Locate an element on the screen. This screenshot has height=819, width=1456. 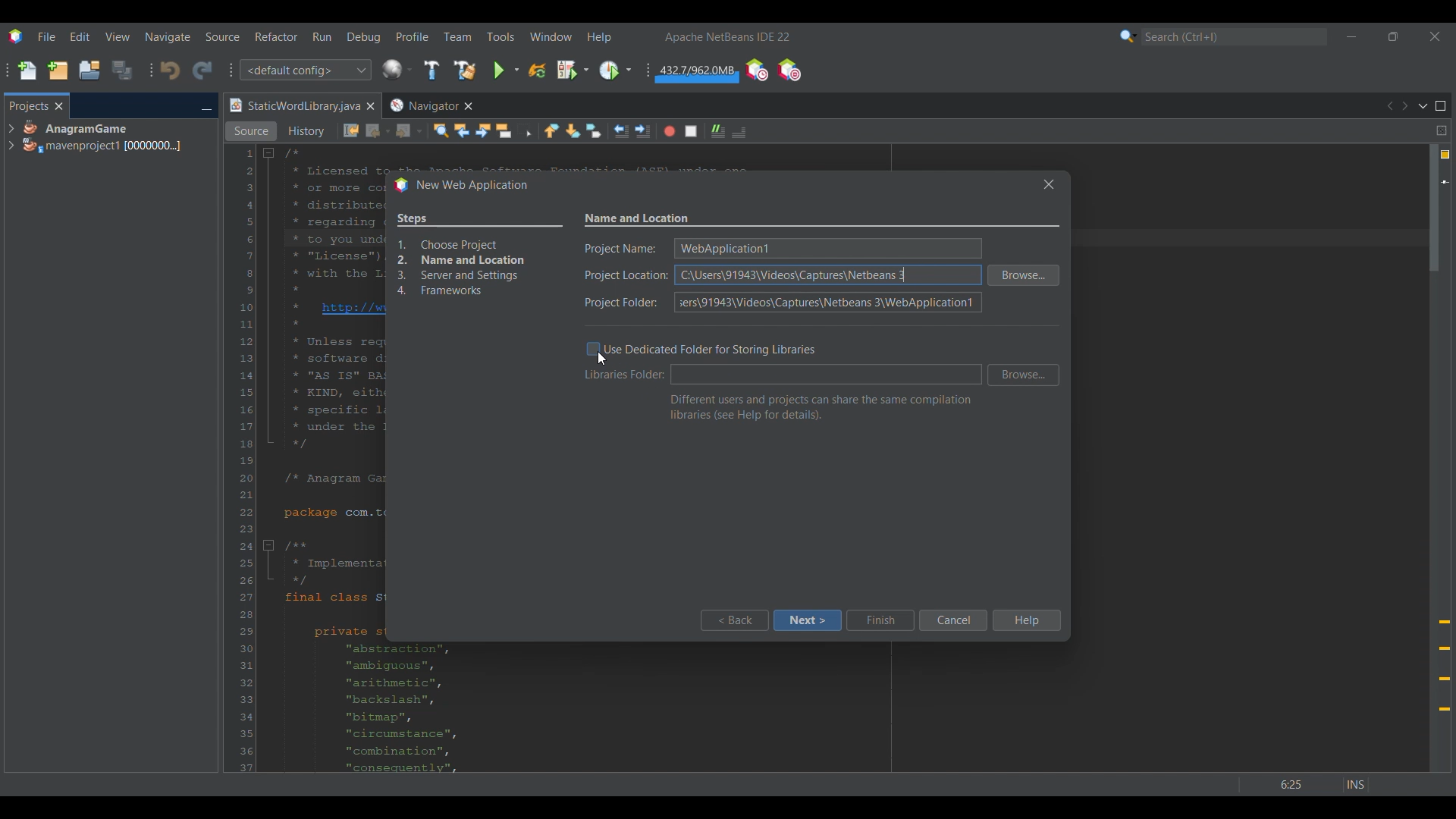
Toggle for dedicated folder is located at coordinates (701, 350).